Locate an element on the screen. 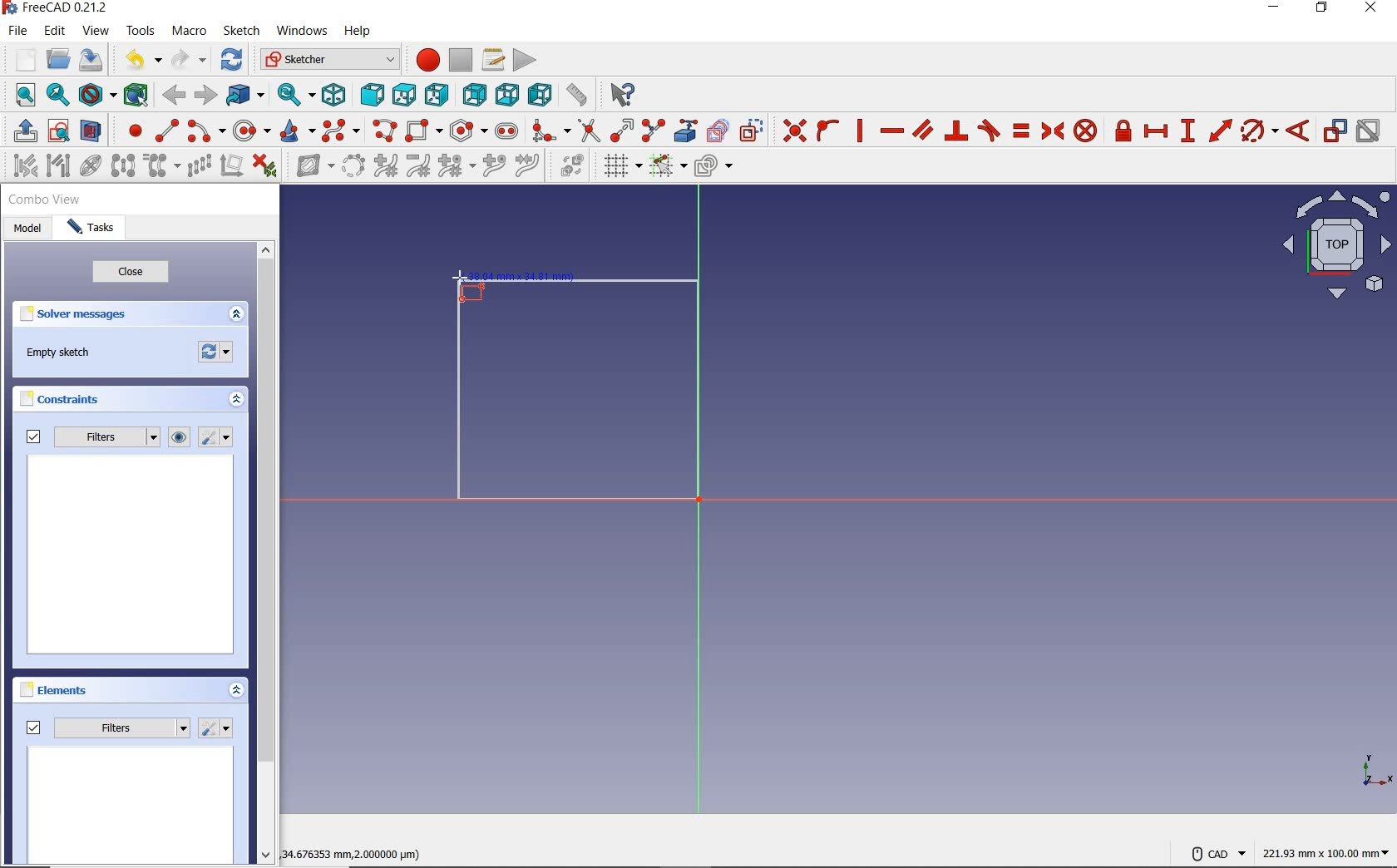  create line is located at coordinates (164, 130).